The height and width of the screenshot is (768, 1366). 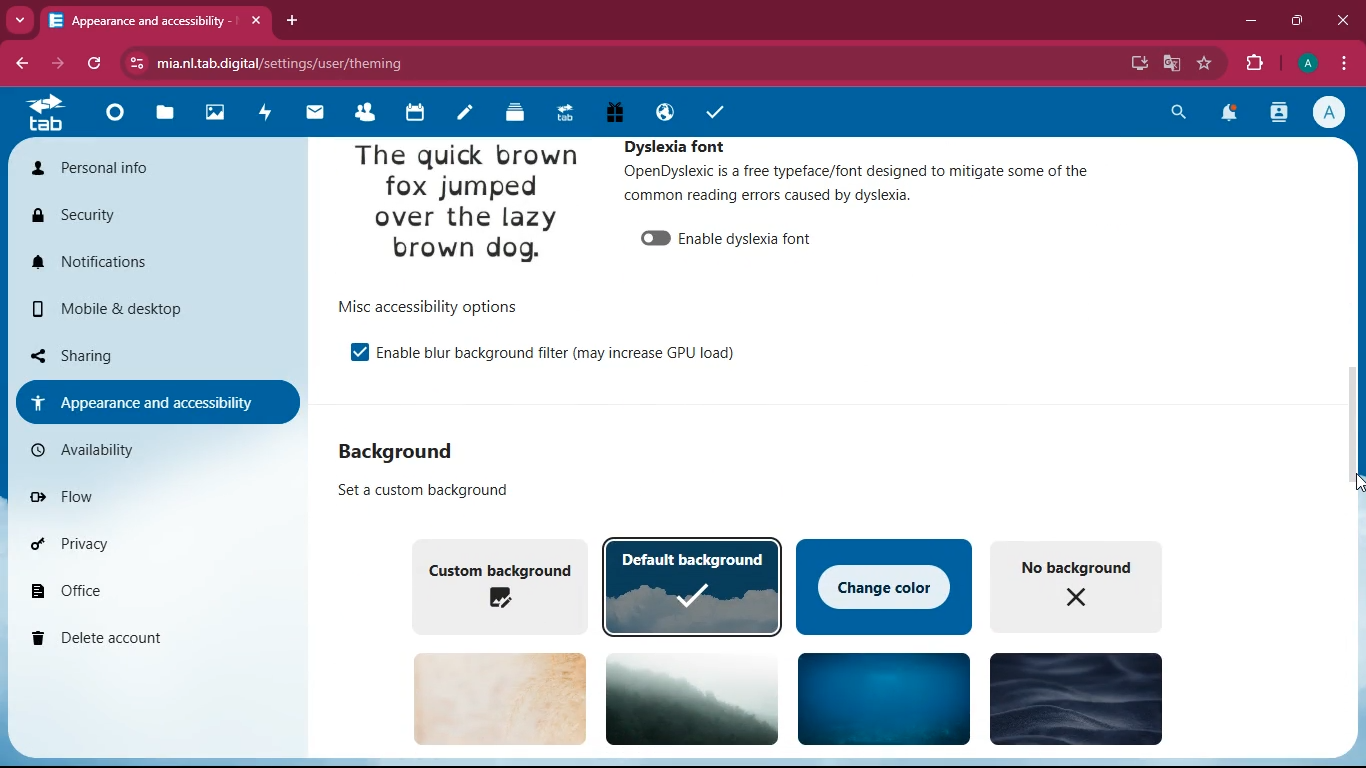 I want to click on security, so click(x=113, y=215).